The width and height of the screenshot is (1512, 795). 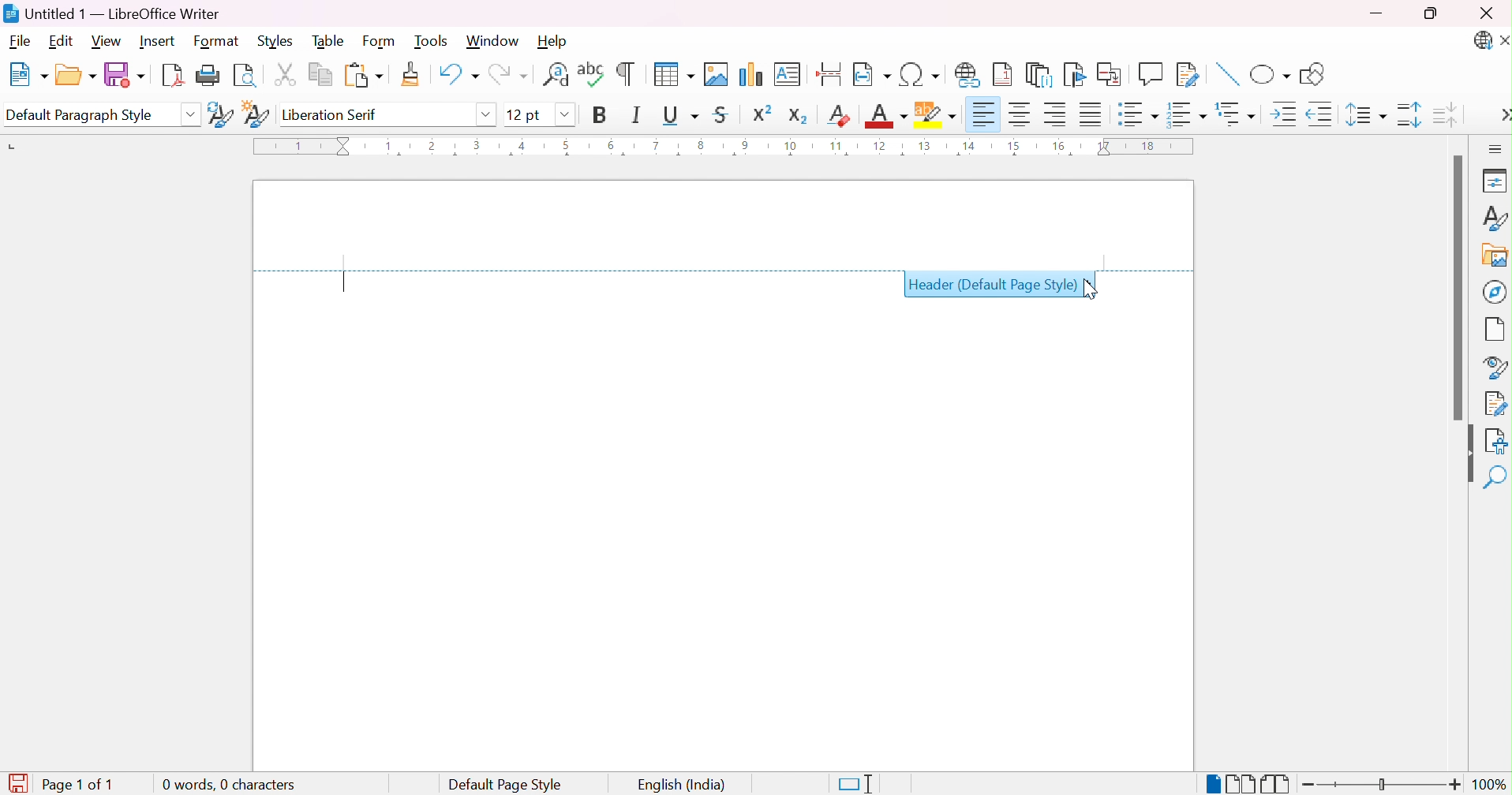 I want to click on Toggle ordered list, so click(x=1190, y=117).